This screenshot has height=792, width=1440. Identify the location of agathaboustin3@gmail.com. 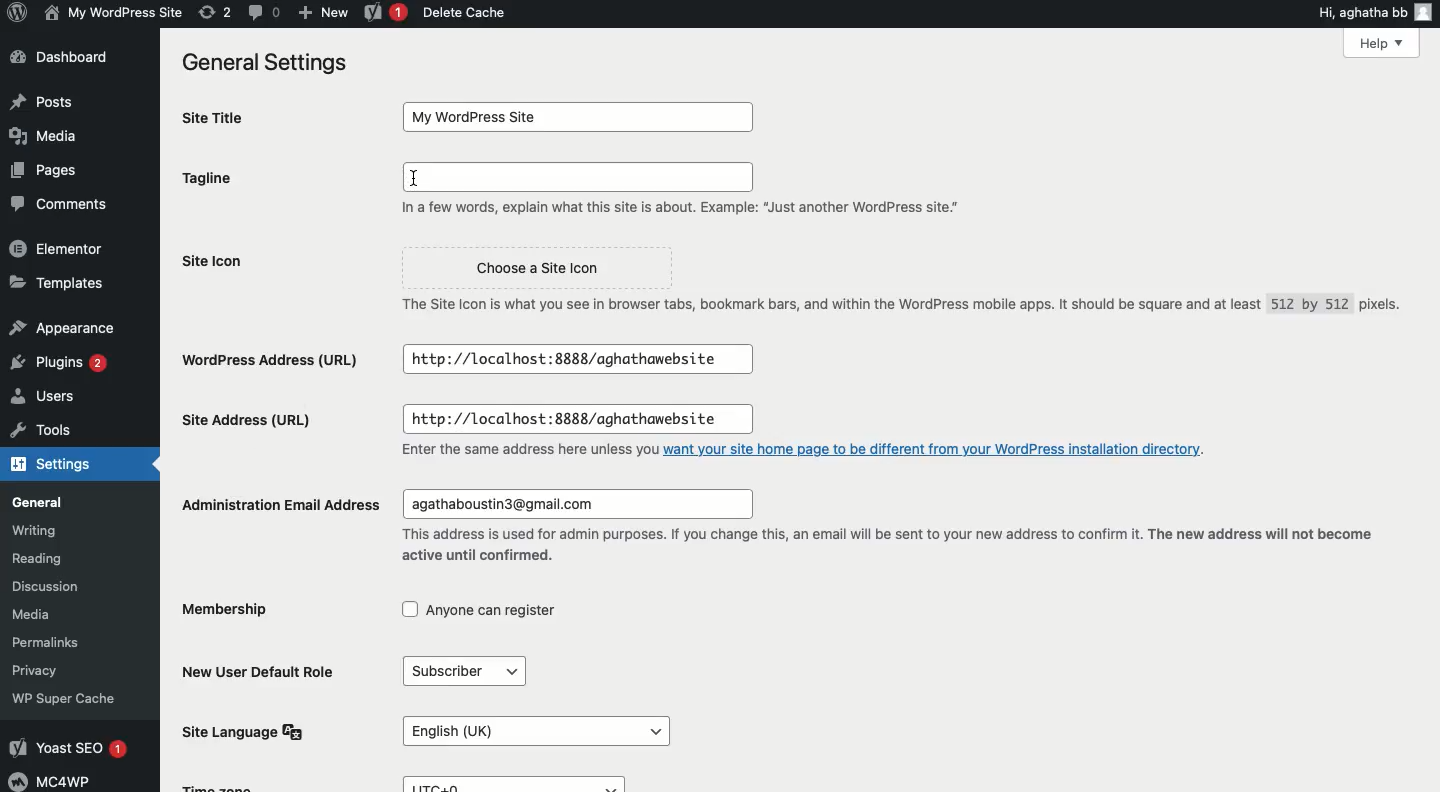
(582, 500).